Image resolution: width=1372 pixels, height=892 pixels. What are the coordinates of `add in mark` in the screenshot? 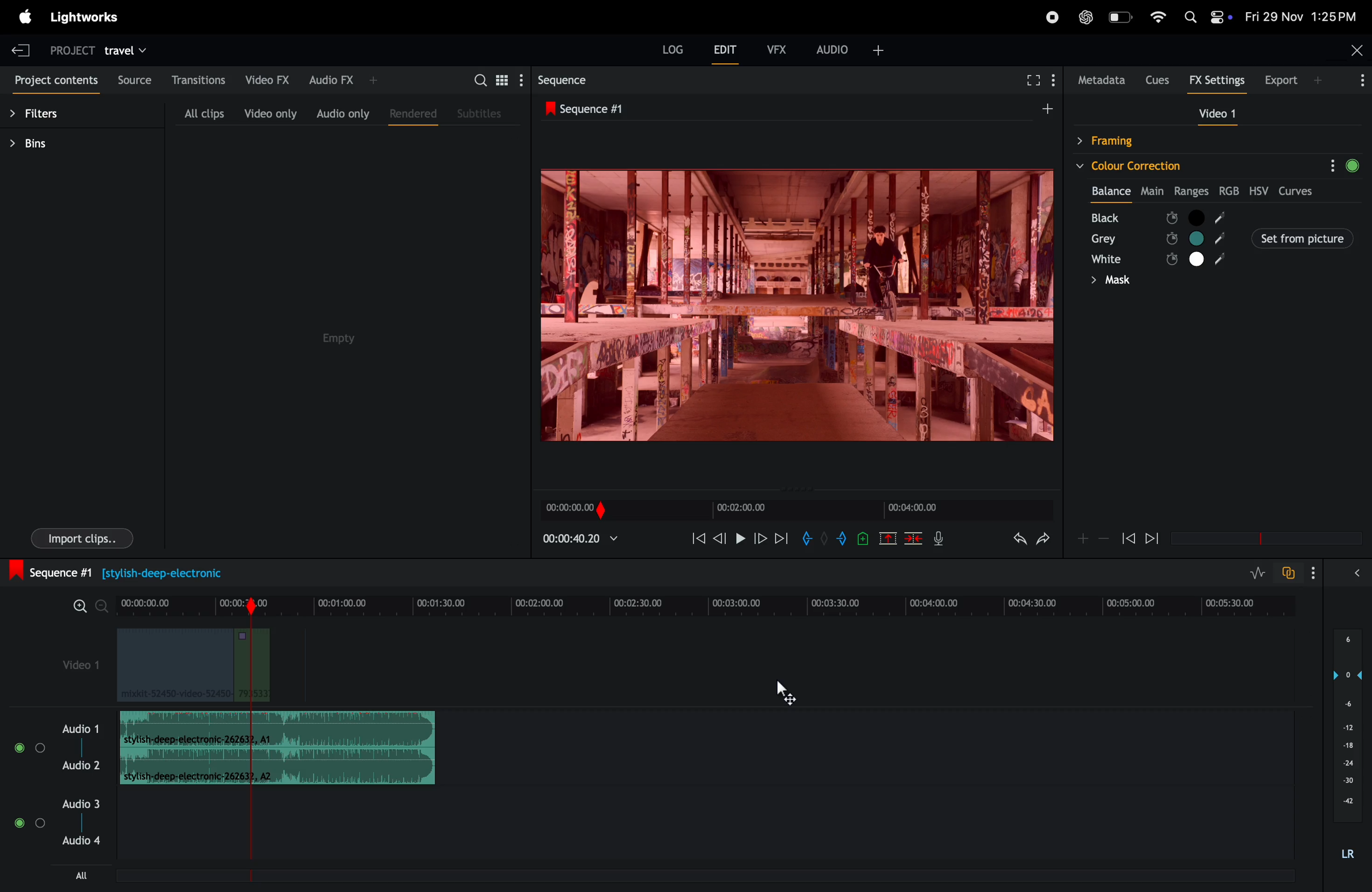 It's located at (806, 538).